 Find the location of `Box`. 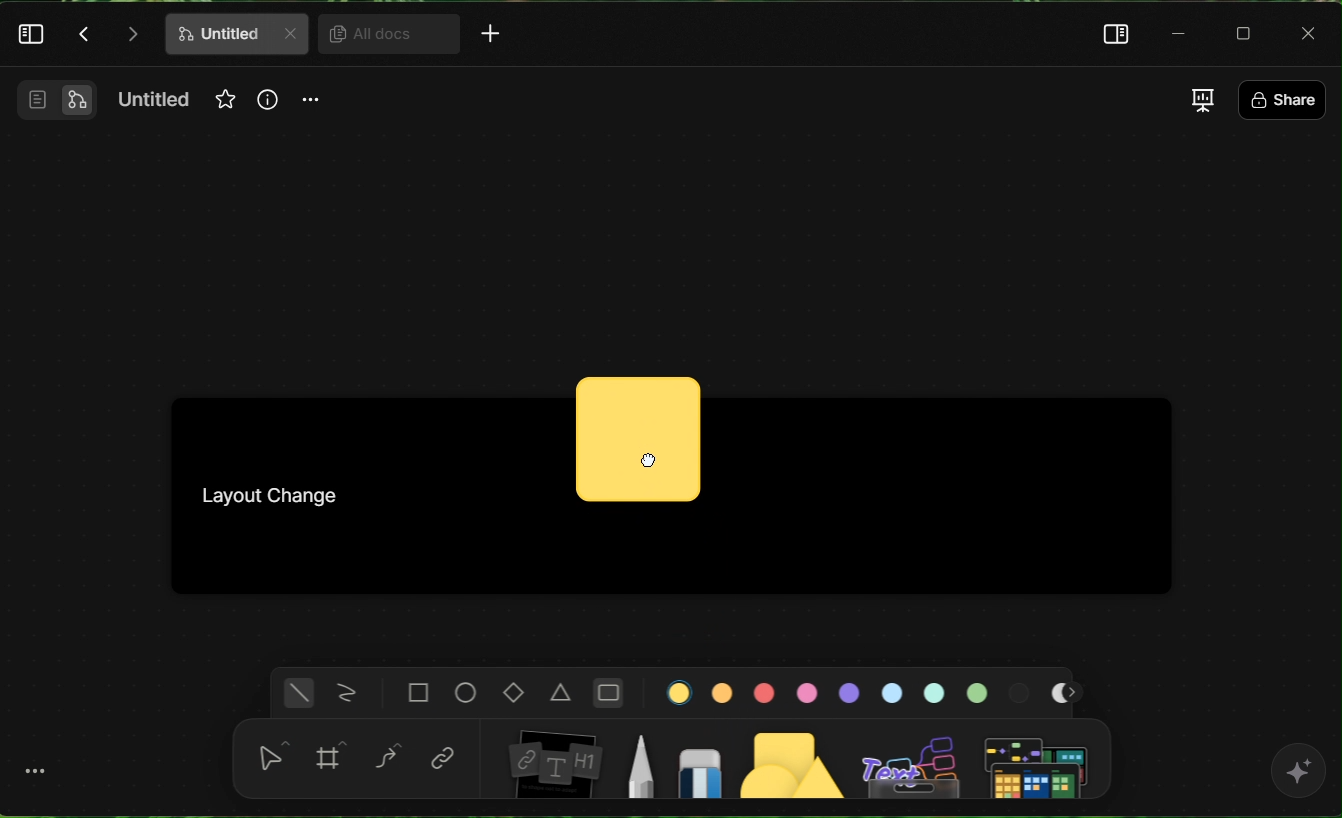

Box is located at coordinates (636, 439).